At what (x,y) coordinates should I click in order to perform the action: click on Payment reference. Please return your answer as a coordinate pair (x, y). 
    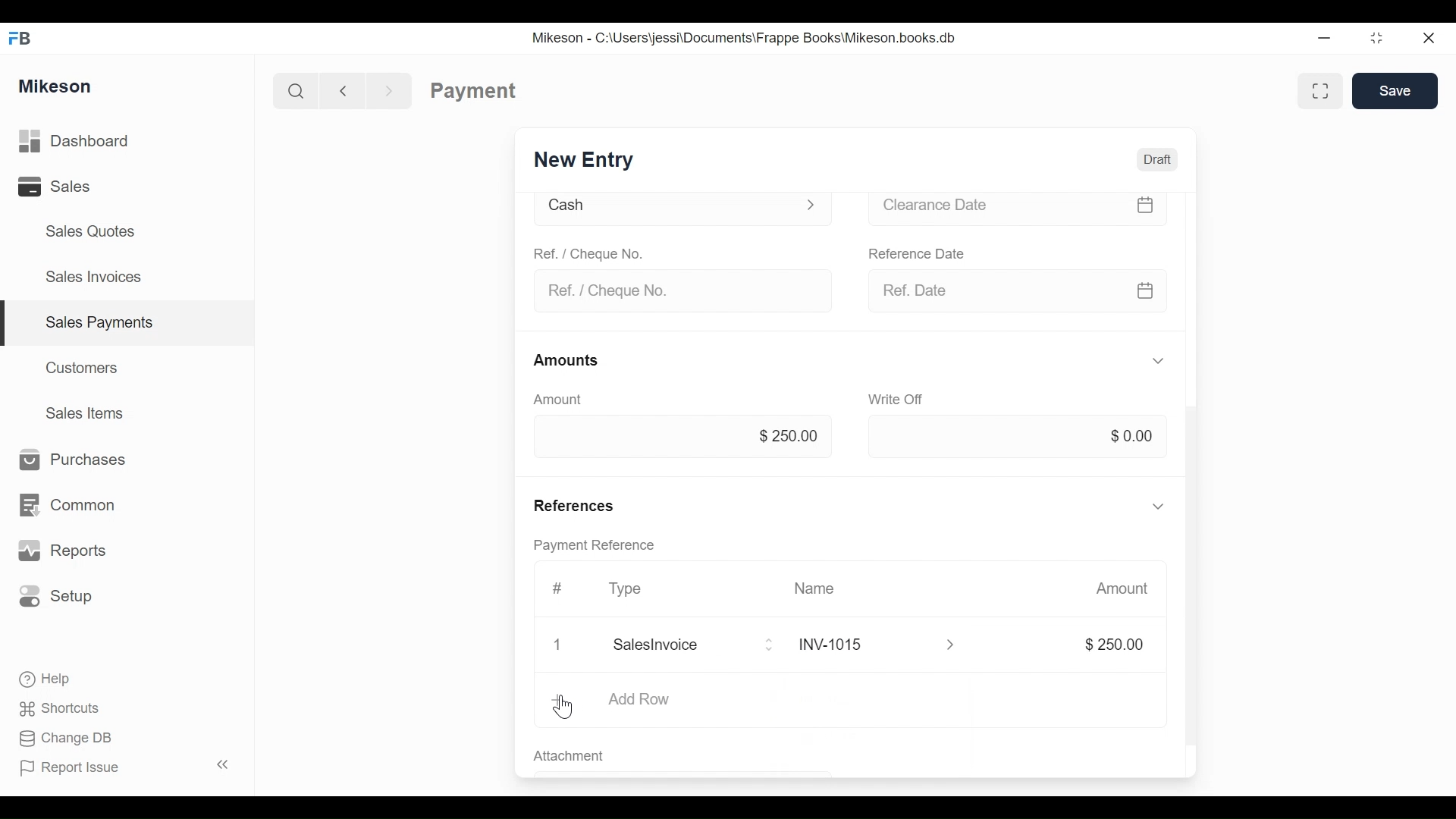
    Looking at the image, I should click on (598, 547).